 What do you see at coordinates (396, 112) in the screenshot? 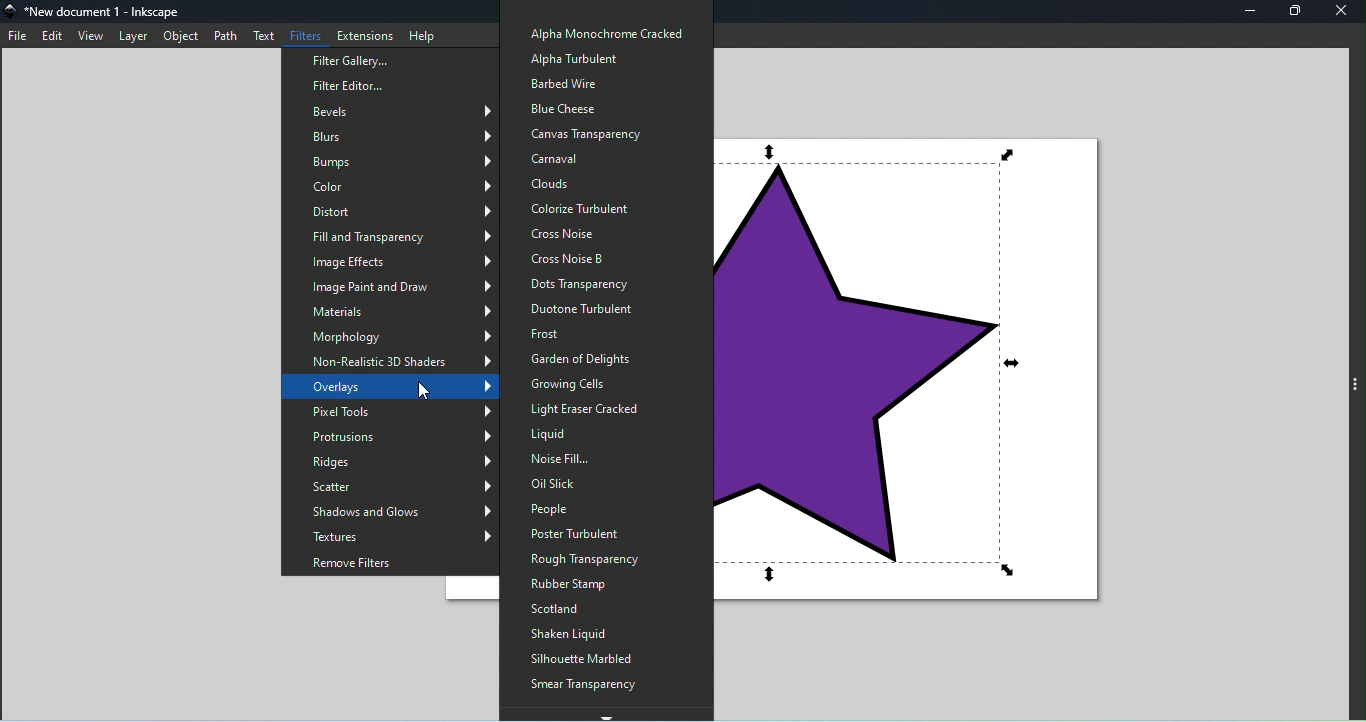
I see `Bevels` at bounding box center [396, 112].